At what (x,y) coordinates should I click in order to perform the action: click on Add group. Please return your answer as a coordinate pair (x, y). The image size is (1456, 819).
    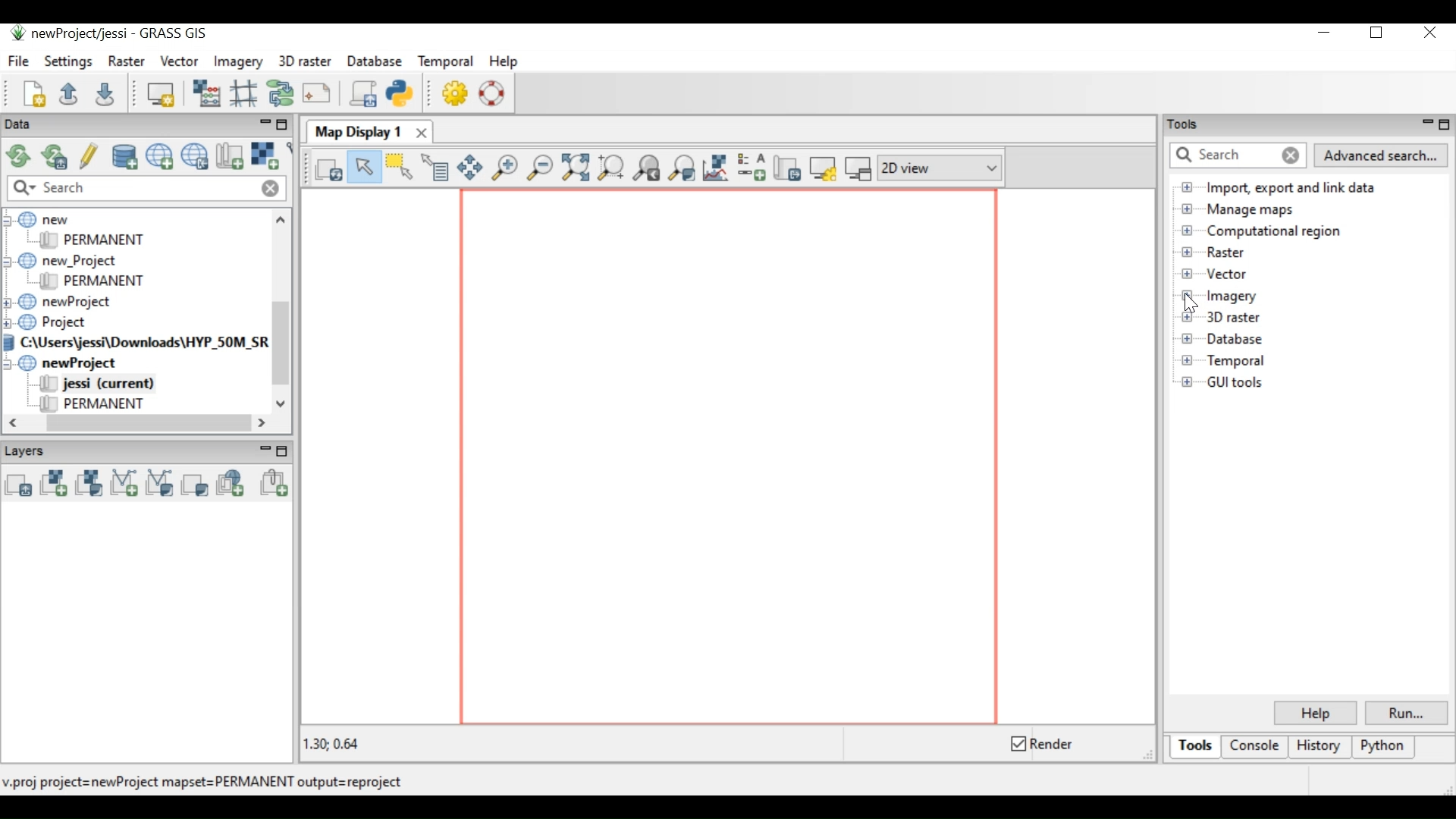
    Looking at the image, I should click on (271, 483).